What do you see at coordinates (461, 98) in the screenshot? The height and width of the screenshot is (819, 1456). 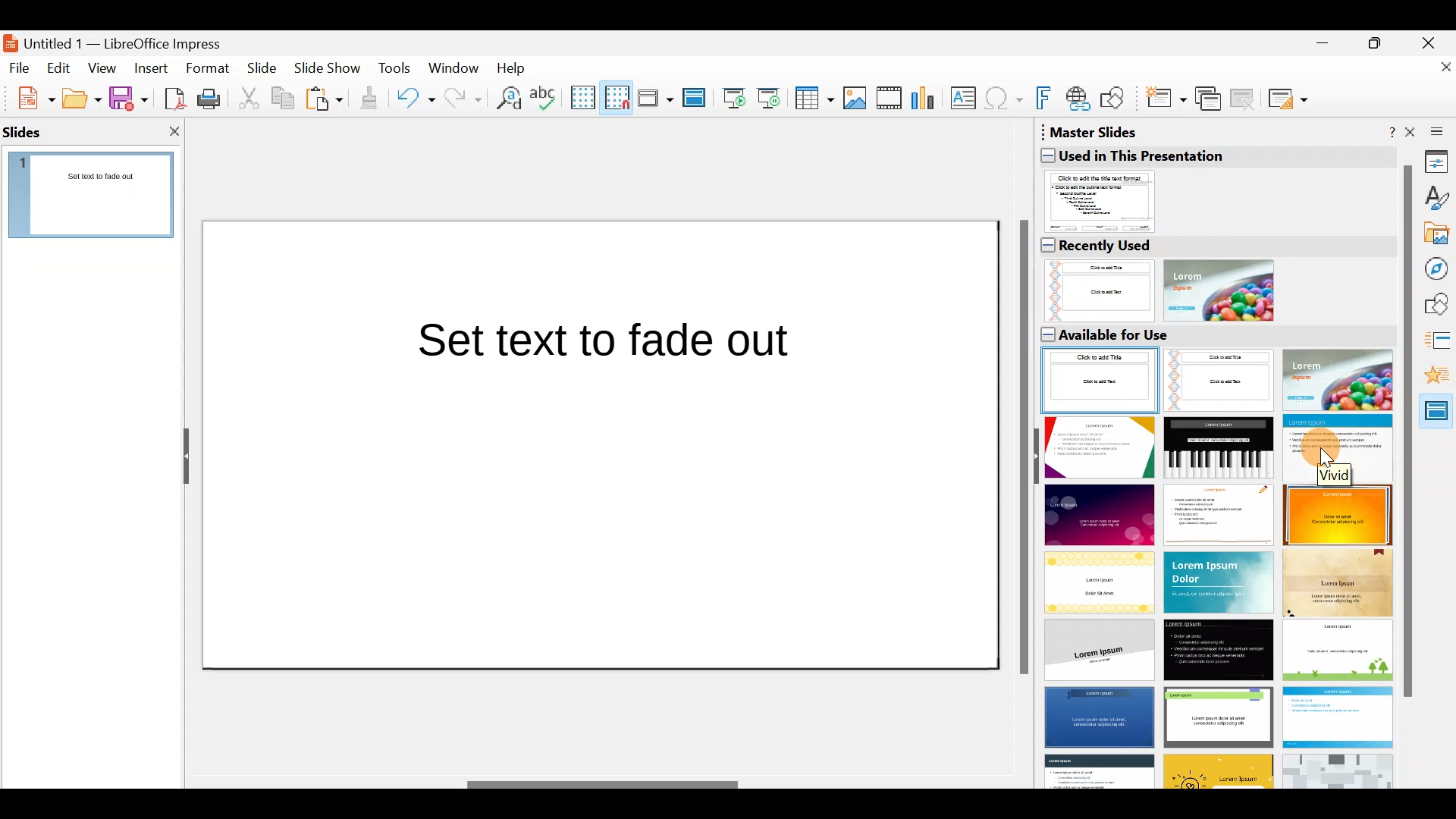 I see `Redo` at bounding box center [461, 98].